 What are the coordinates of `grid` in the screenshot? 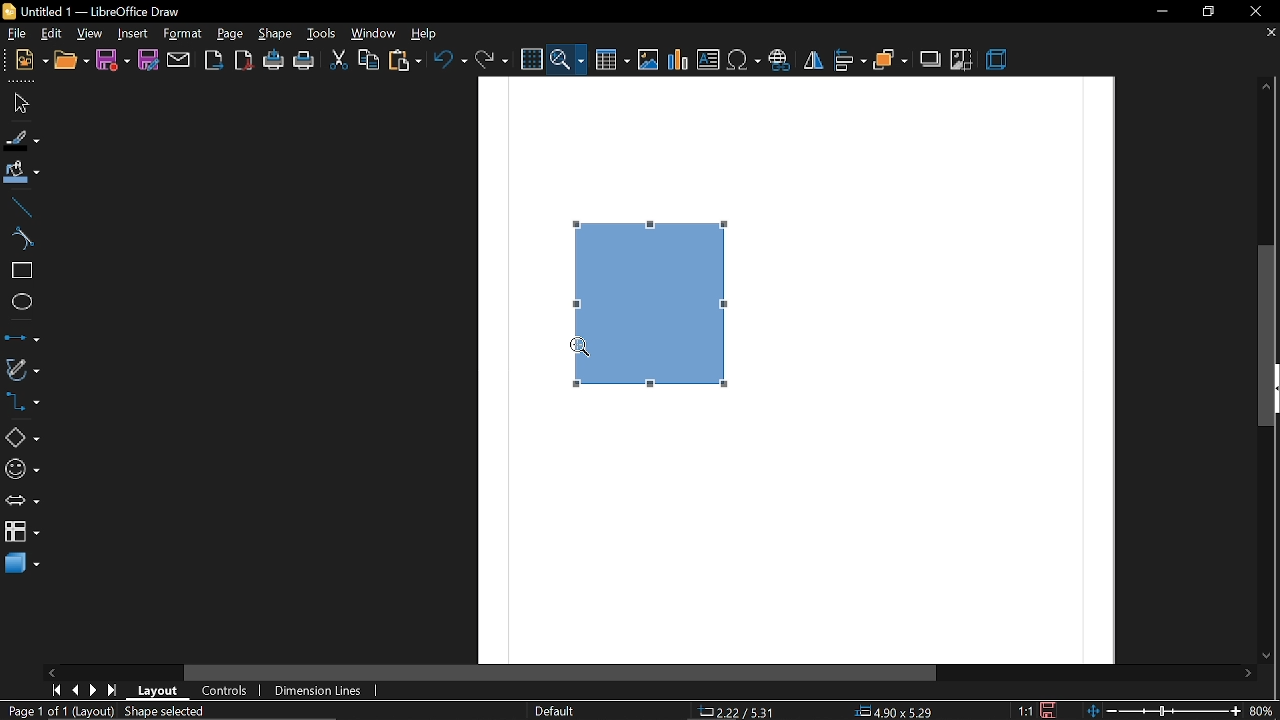 It's located at (534, 59).